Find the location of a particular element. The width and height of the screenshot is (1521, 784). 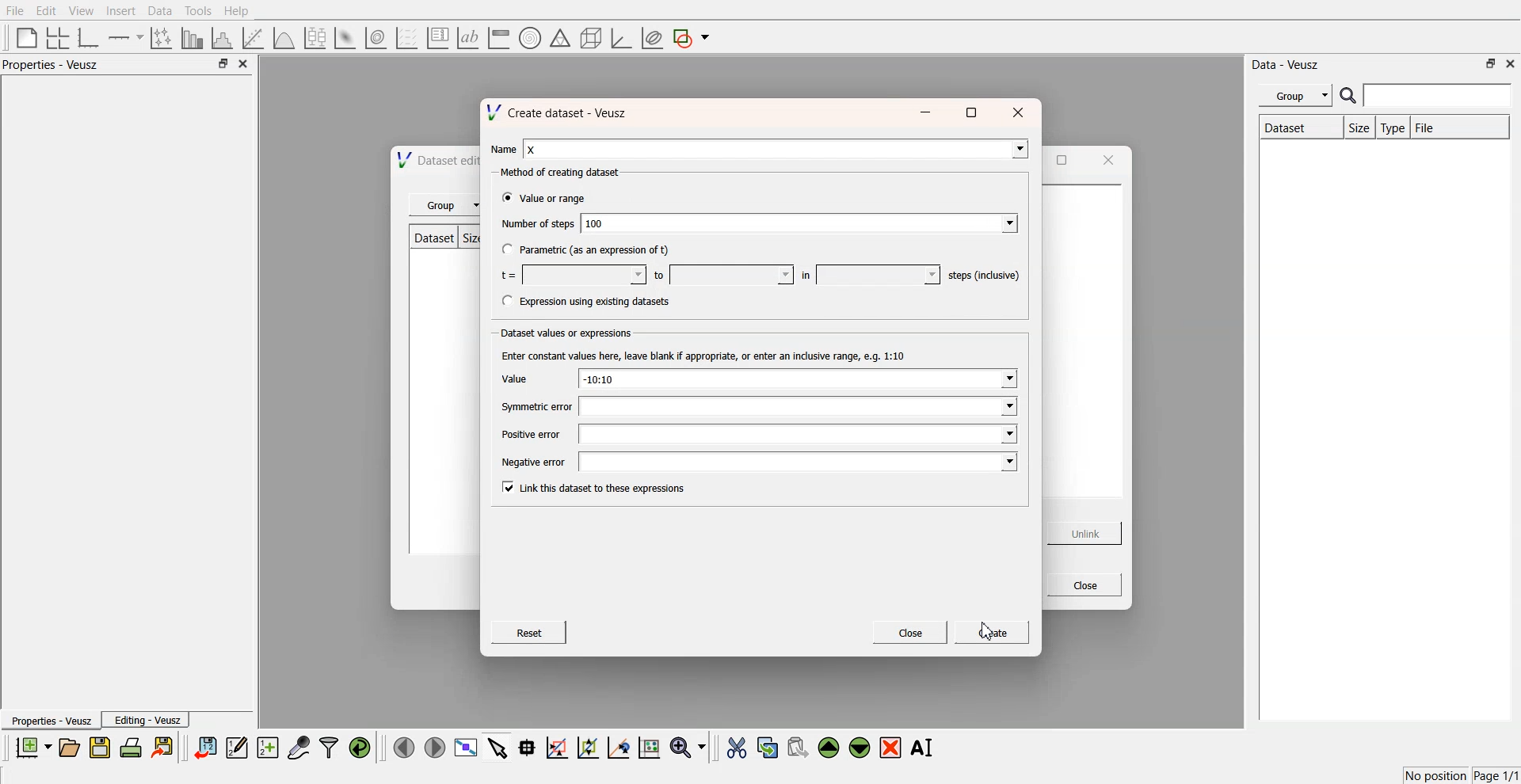

checkbox is located at coordinates (506, 487).